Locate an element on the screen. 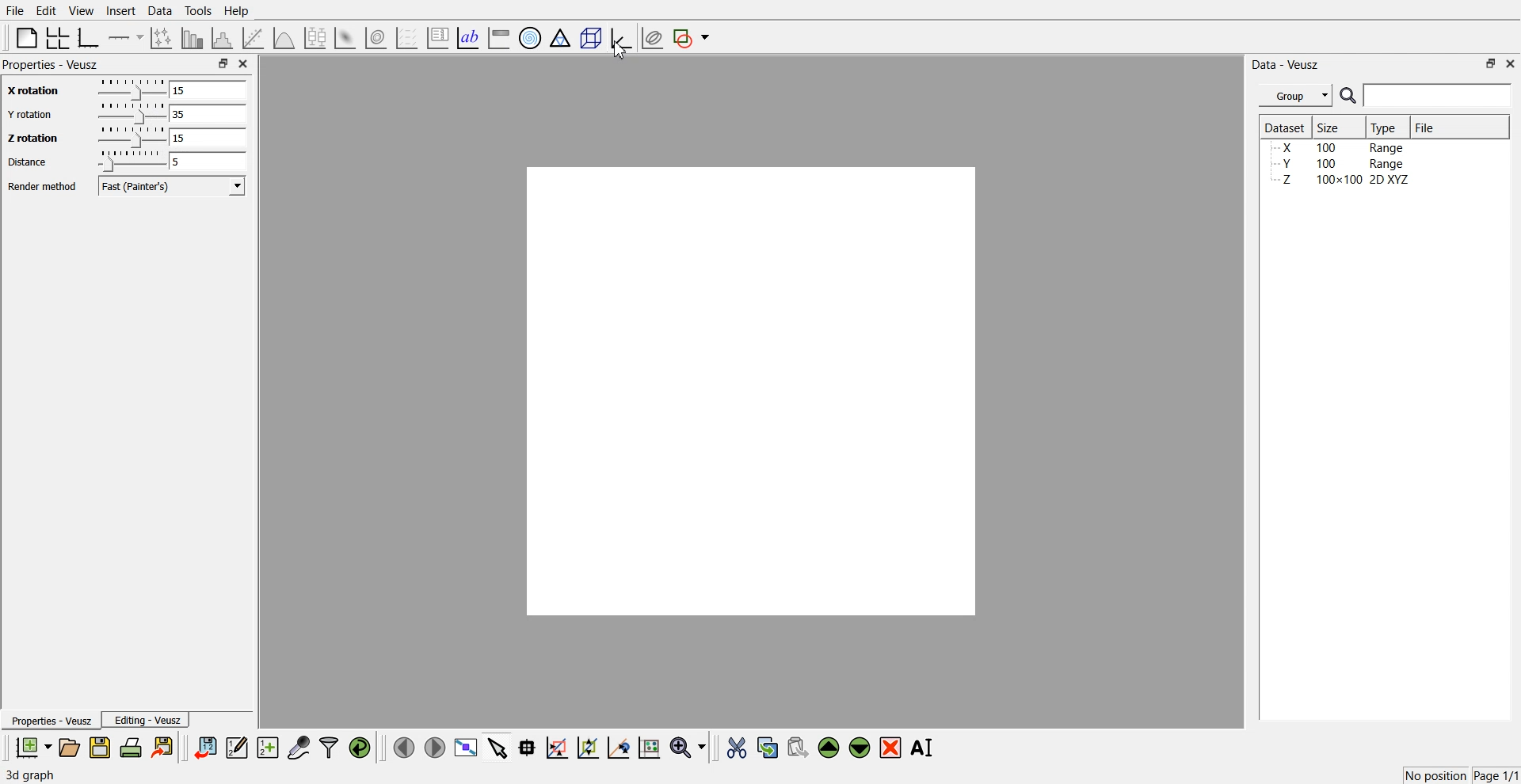 The image size is (1521, 784). New document is located at coordinates (32, 747).